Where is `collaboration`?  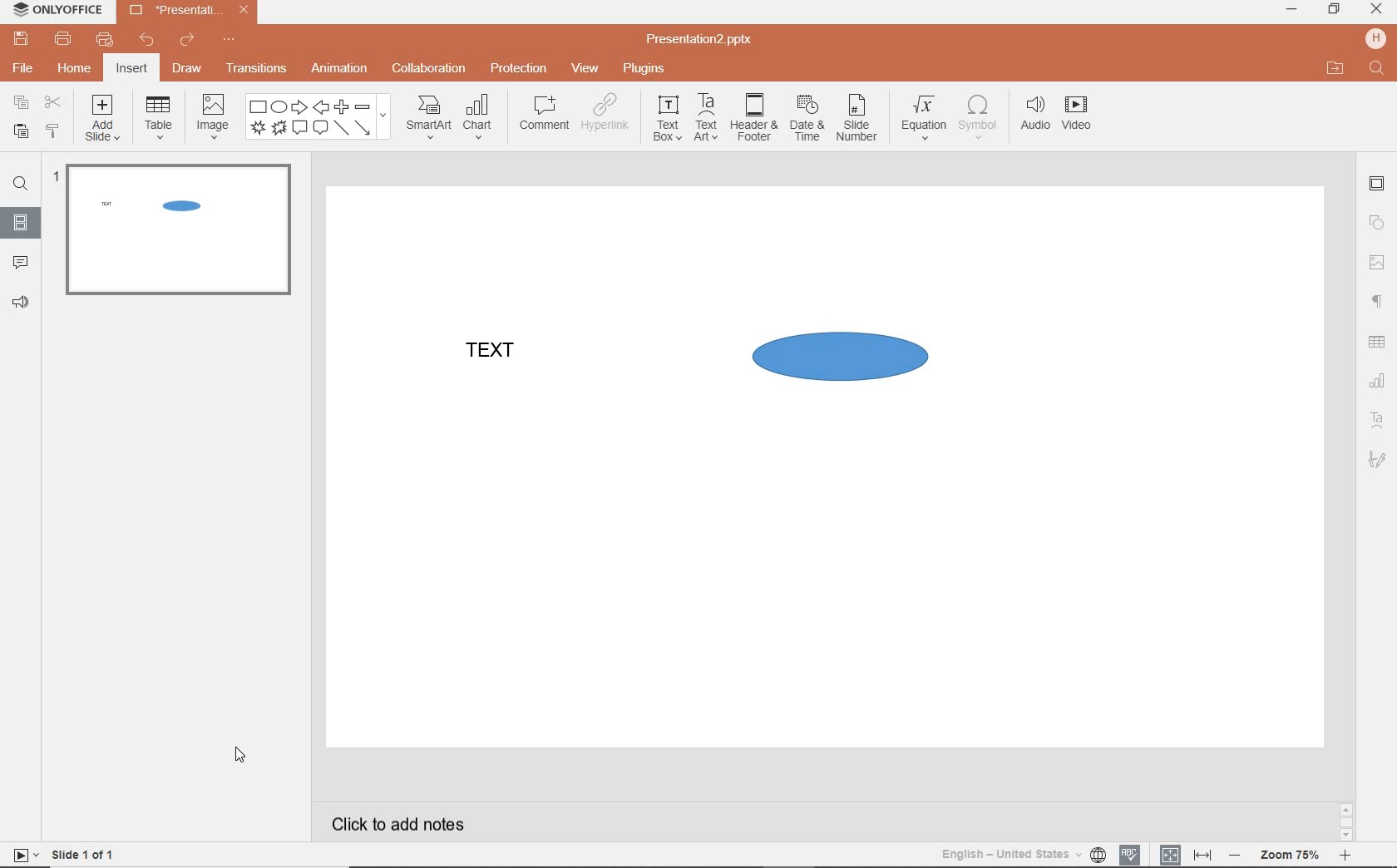 collaboration is located at coordinates (427, 70).